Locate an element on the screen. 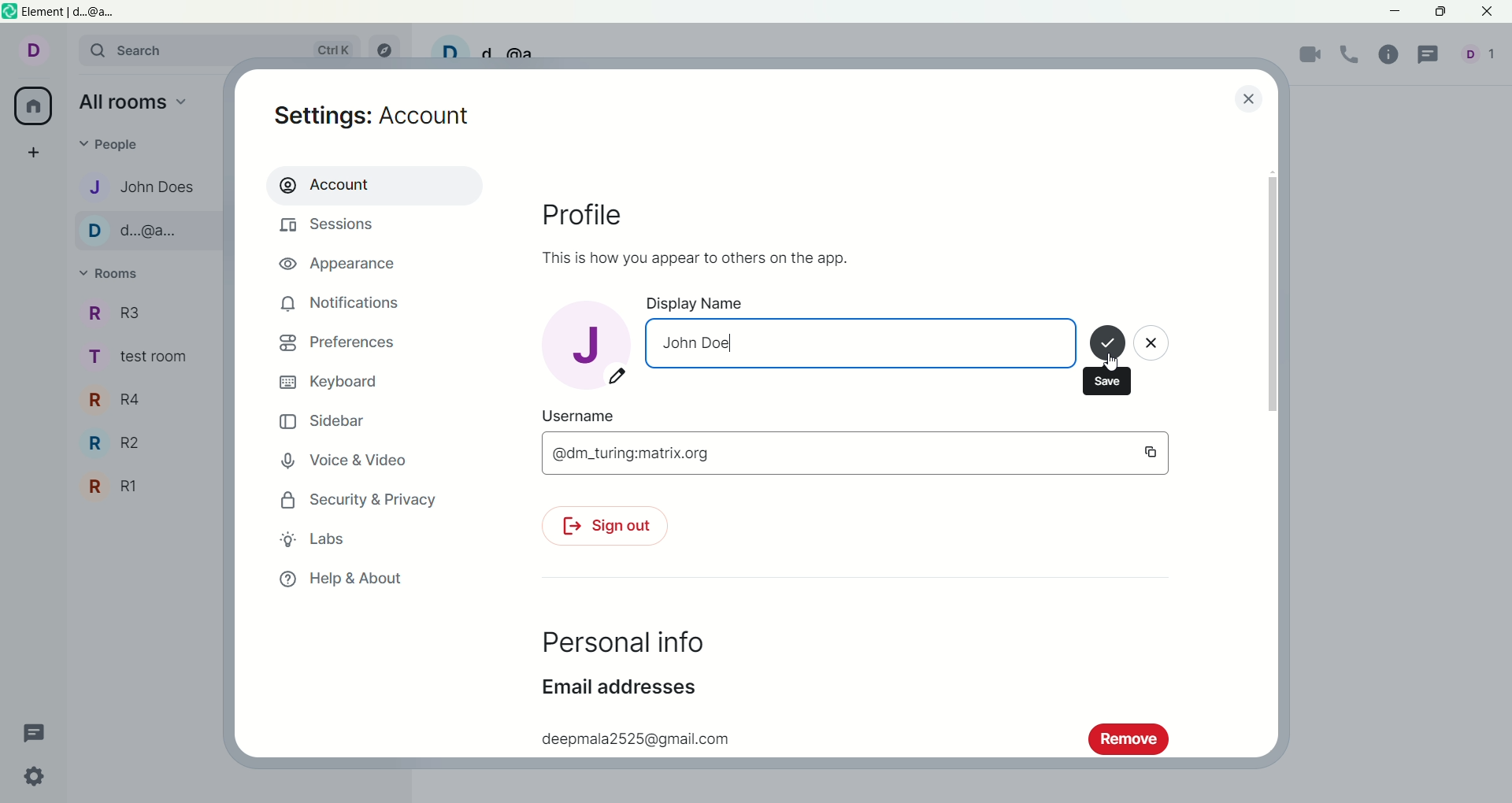 The height and width of the screenshot is (803, 1512). people is located at coordinates (120, 146).